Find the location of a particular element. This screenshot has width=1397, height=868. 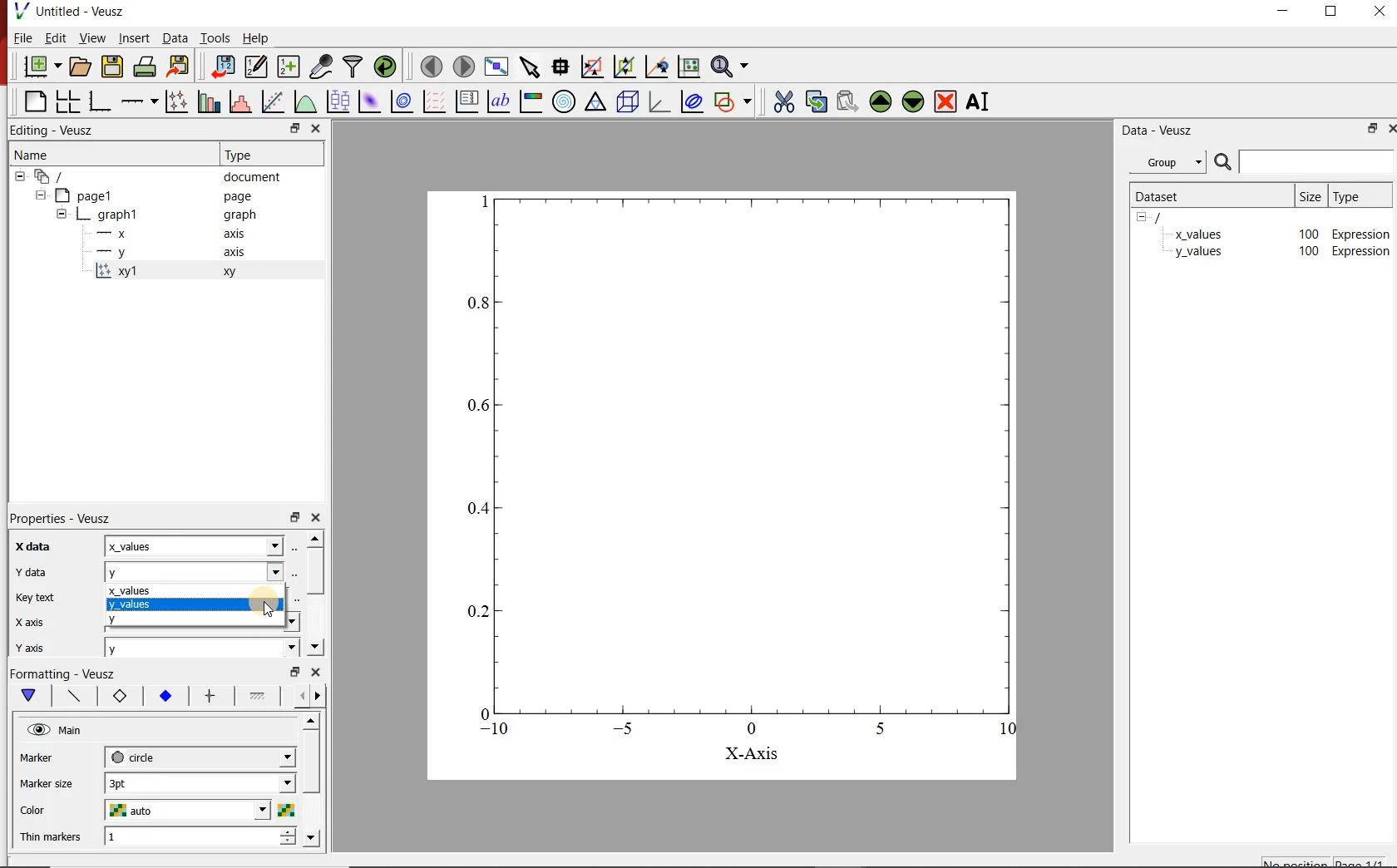

name is located at coordinates (33, 156).